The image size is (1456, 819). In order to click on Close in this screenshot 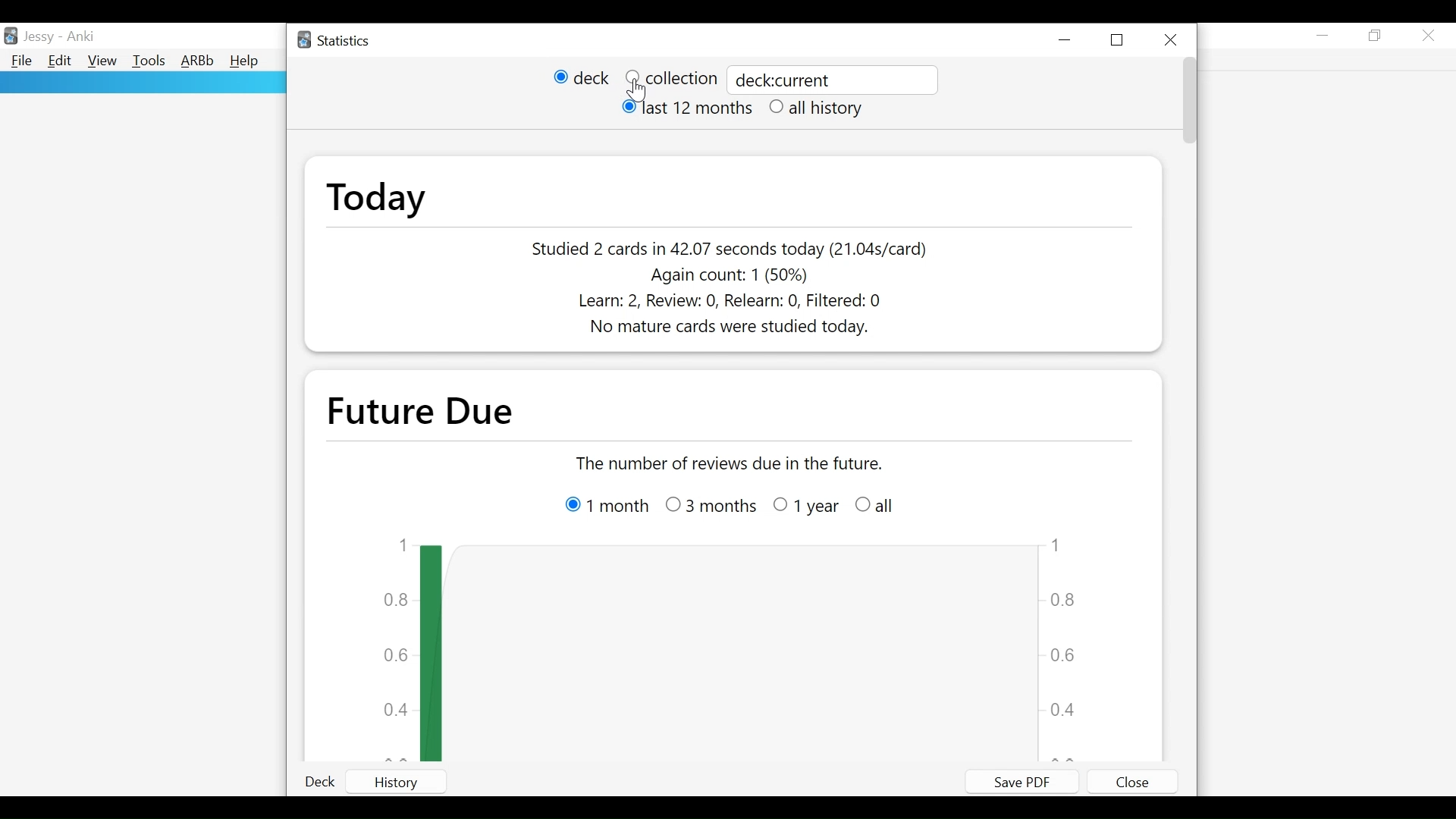, I will do `click(1131, 782)`.